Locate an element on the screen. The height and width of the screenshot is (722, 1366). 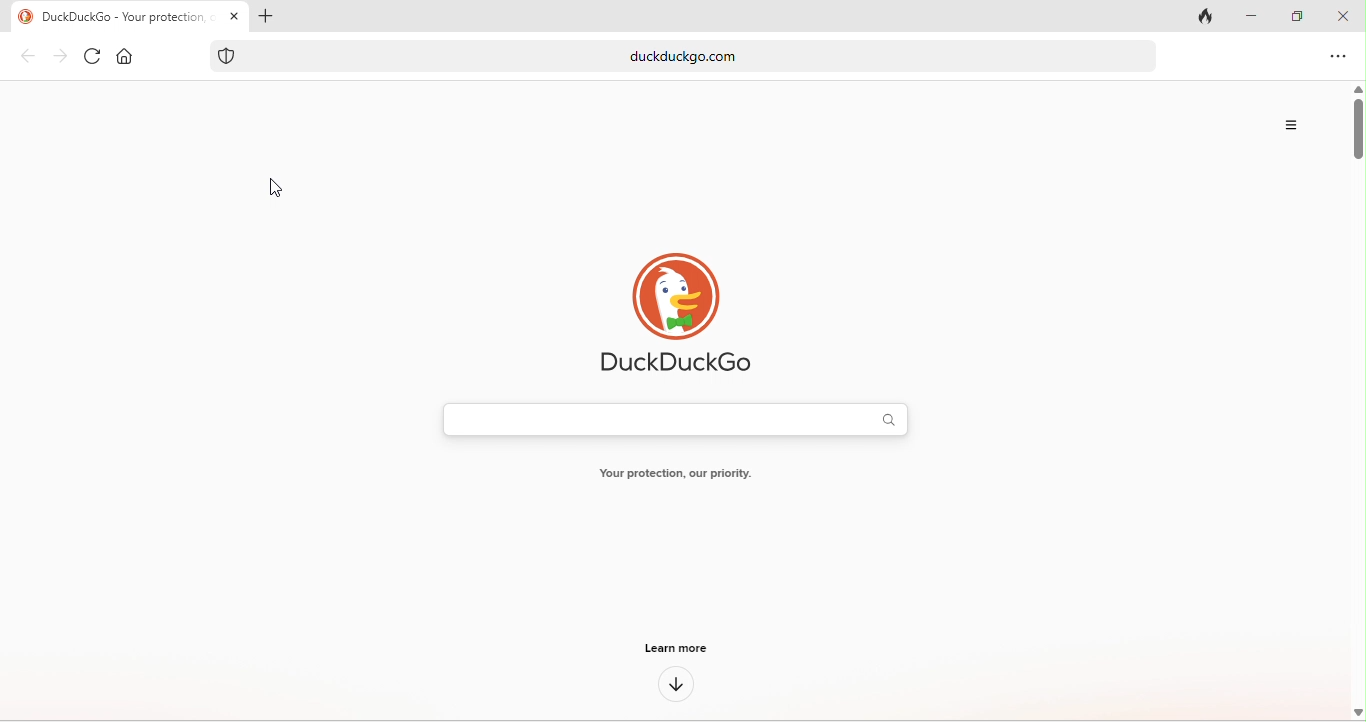
forward is located at coordinates (59, 57).